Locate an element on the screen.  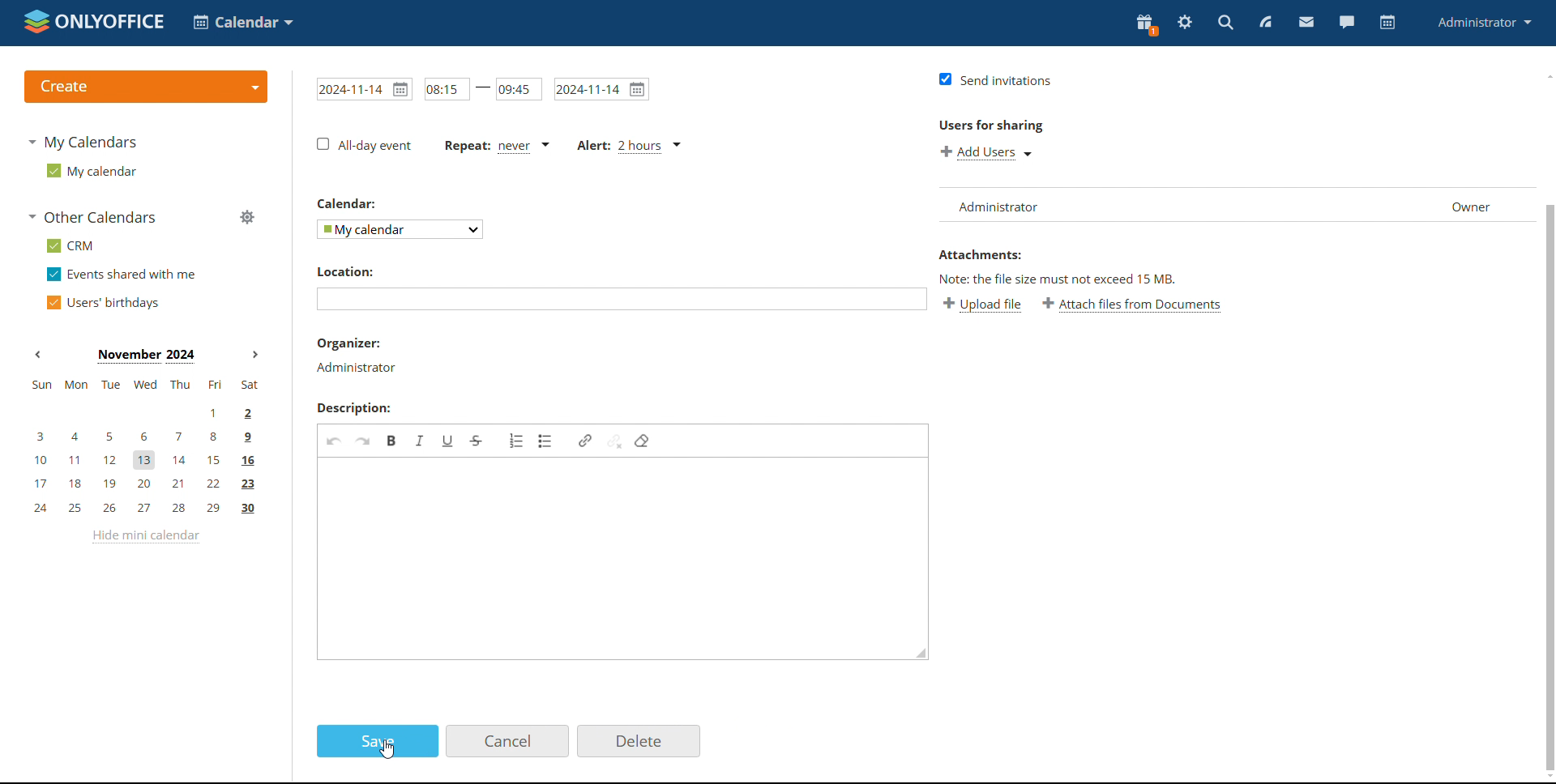
redo is located at coordinates (362, 441).